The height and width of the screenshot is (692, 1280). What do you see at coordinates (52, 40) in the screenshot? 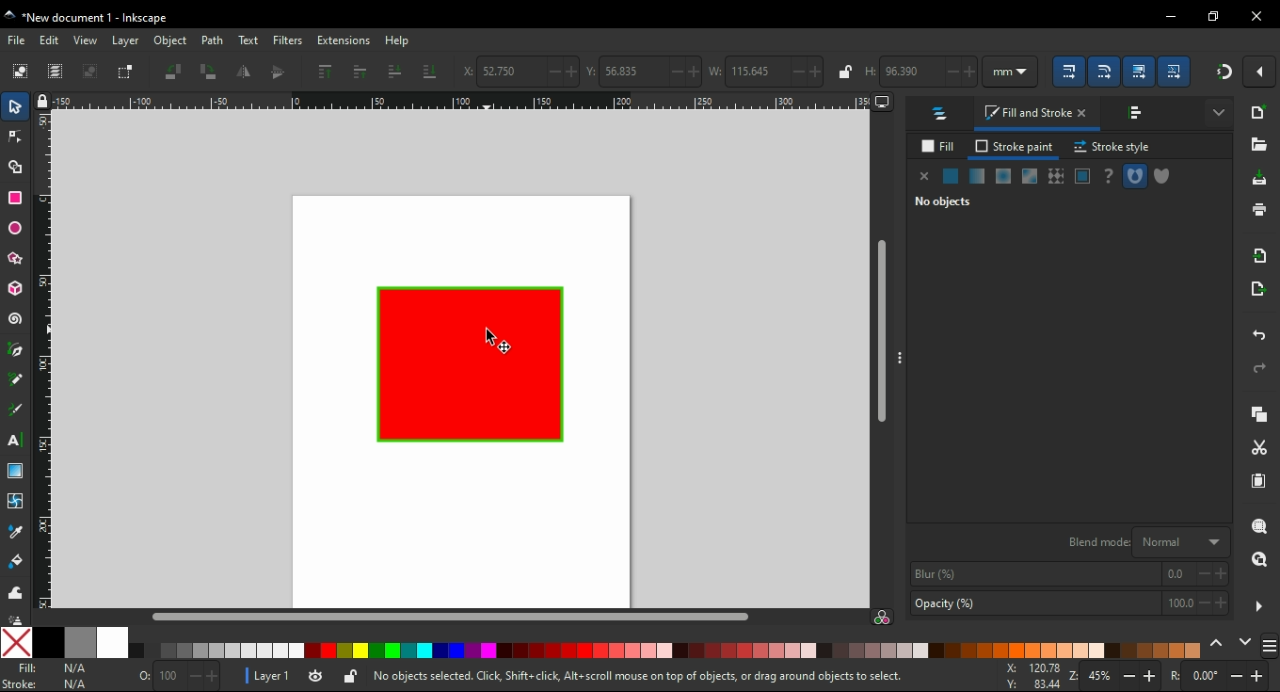
I see `edit` at bounding box center [52, 40].